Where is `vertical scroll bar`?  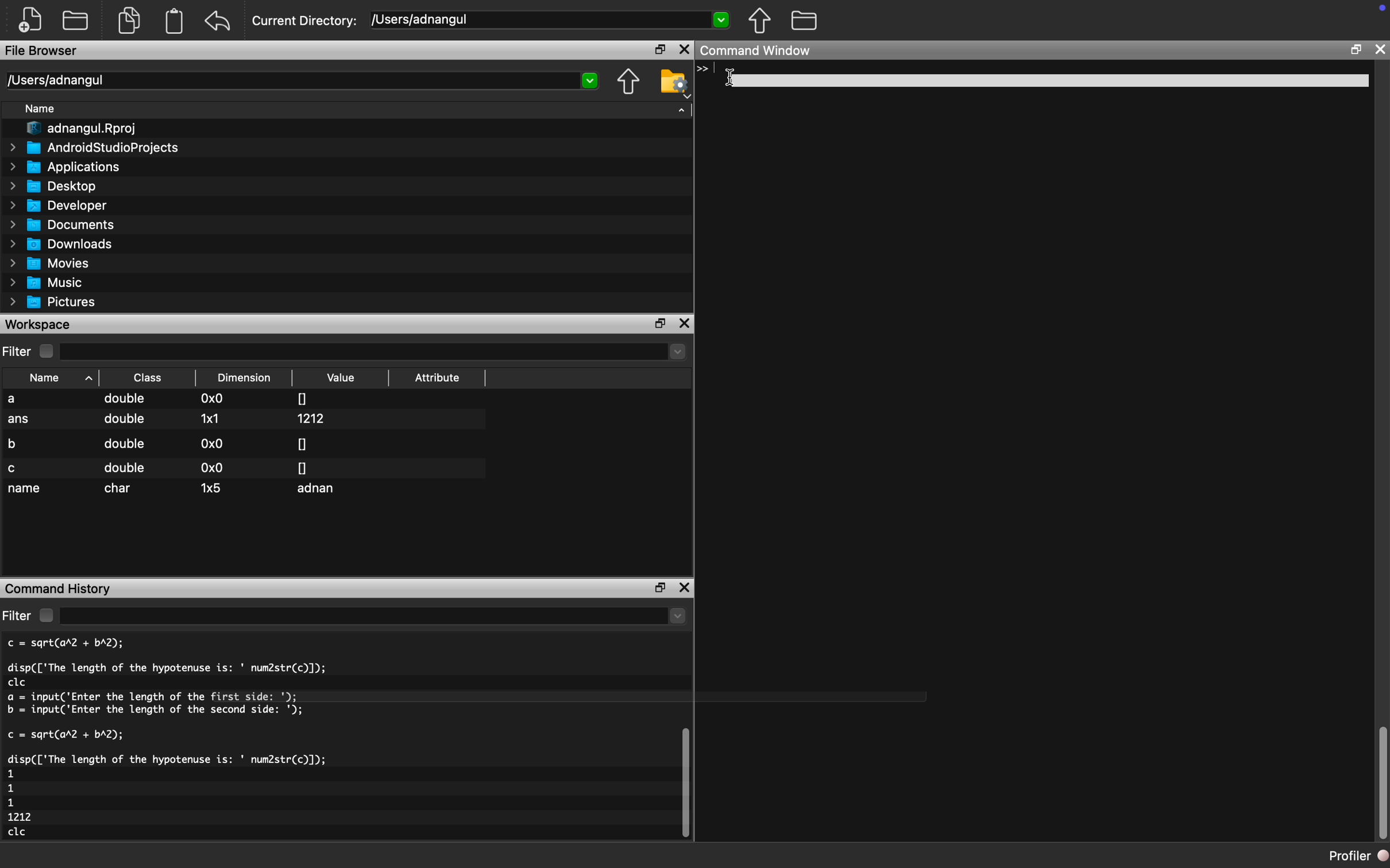
vertical scroll bar is located at coordinates (682, 781).